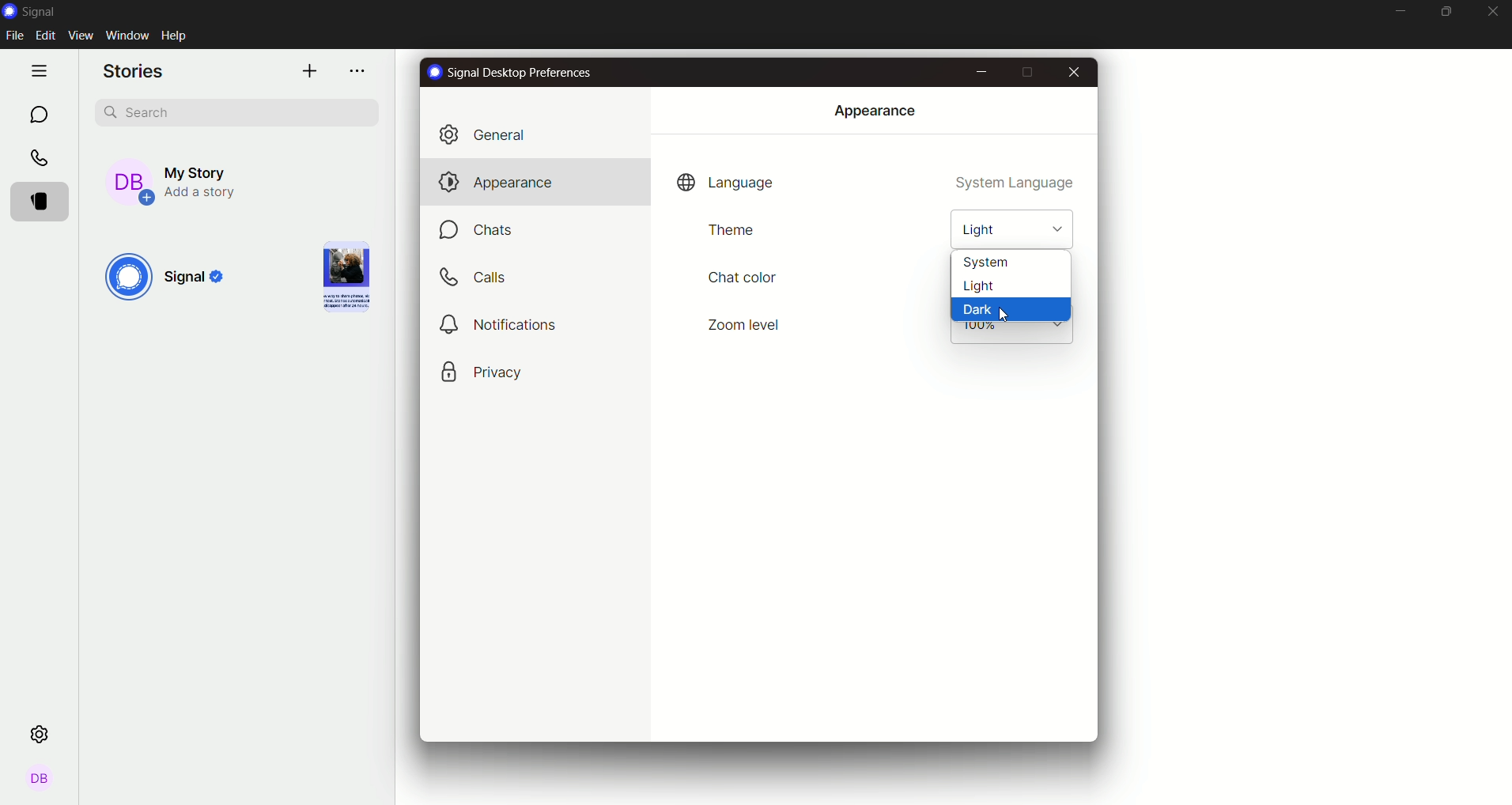 The width and height of the screenshot is (1512, 805). Describe the element at coordinates (742, 276) in the screenshot. I see `chat color` at that location.